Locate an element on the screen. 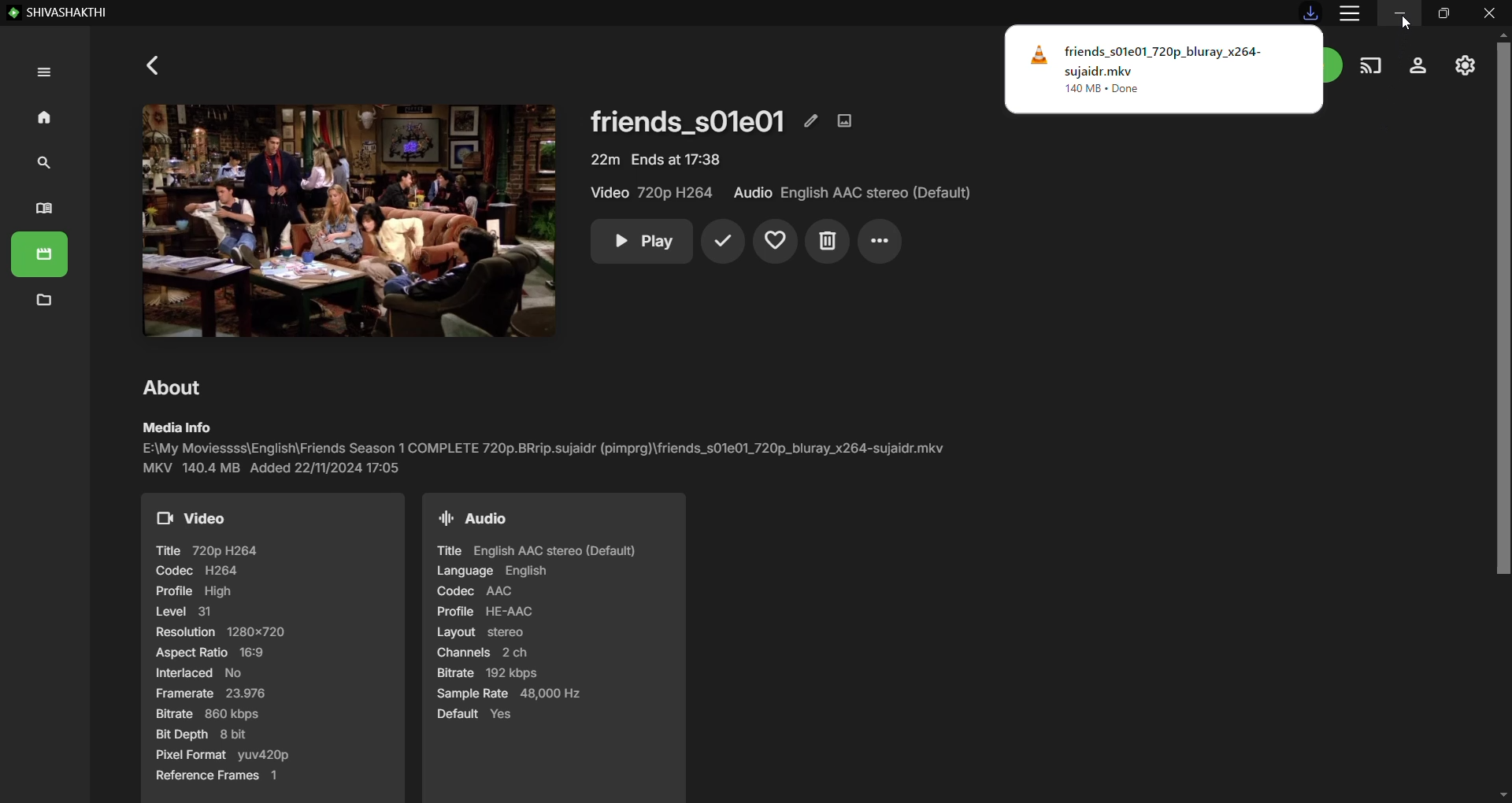  Delete is located at coordinates (827, 242).